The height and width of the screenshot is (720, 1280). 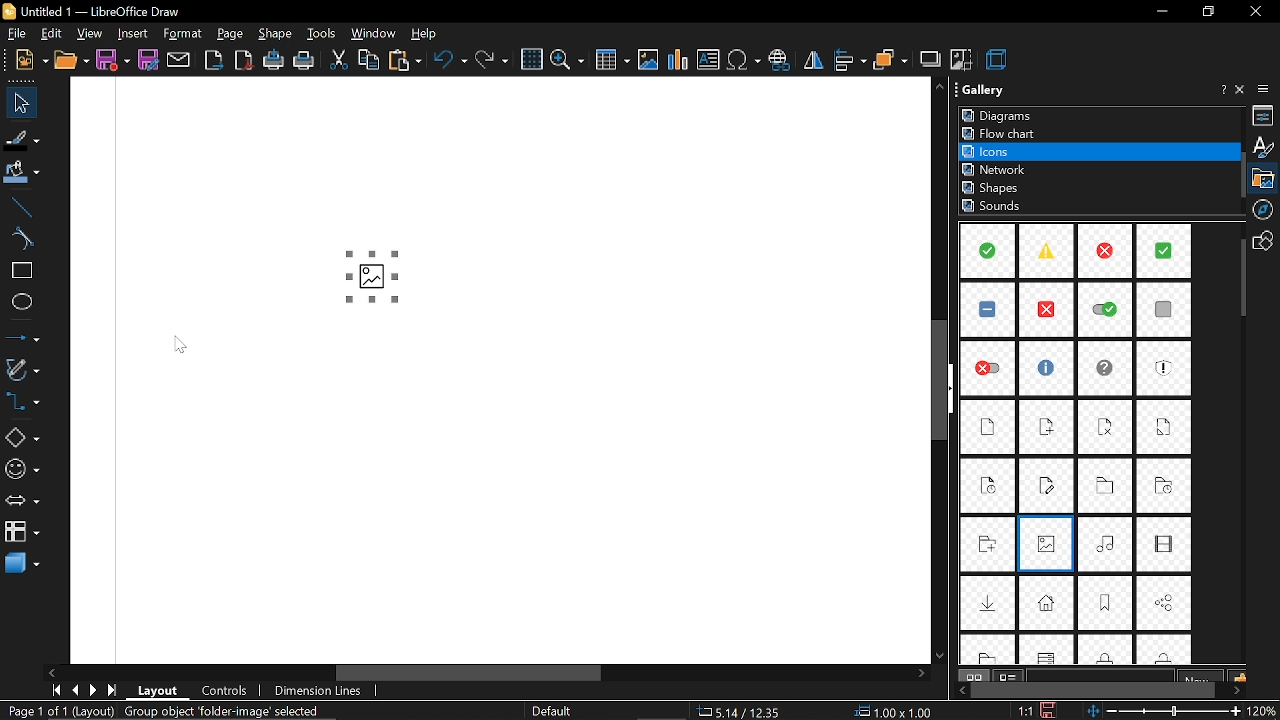 What do you see at coordinates (372, 34) in the screenshot?
I see `window` at bounding box center [372, 34].